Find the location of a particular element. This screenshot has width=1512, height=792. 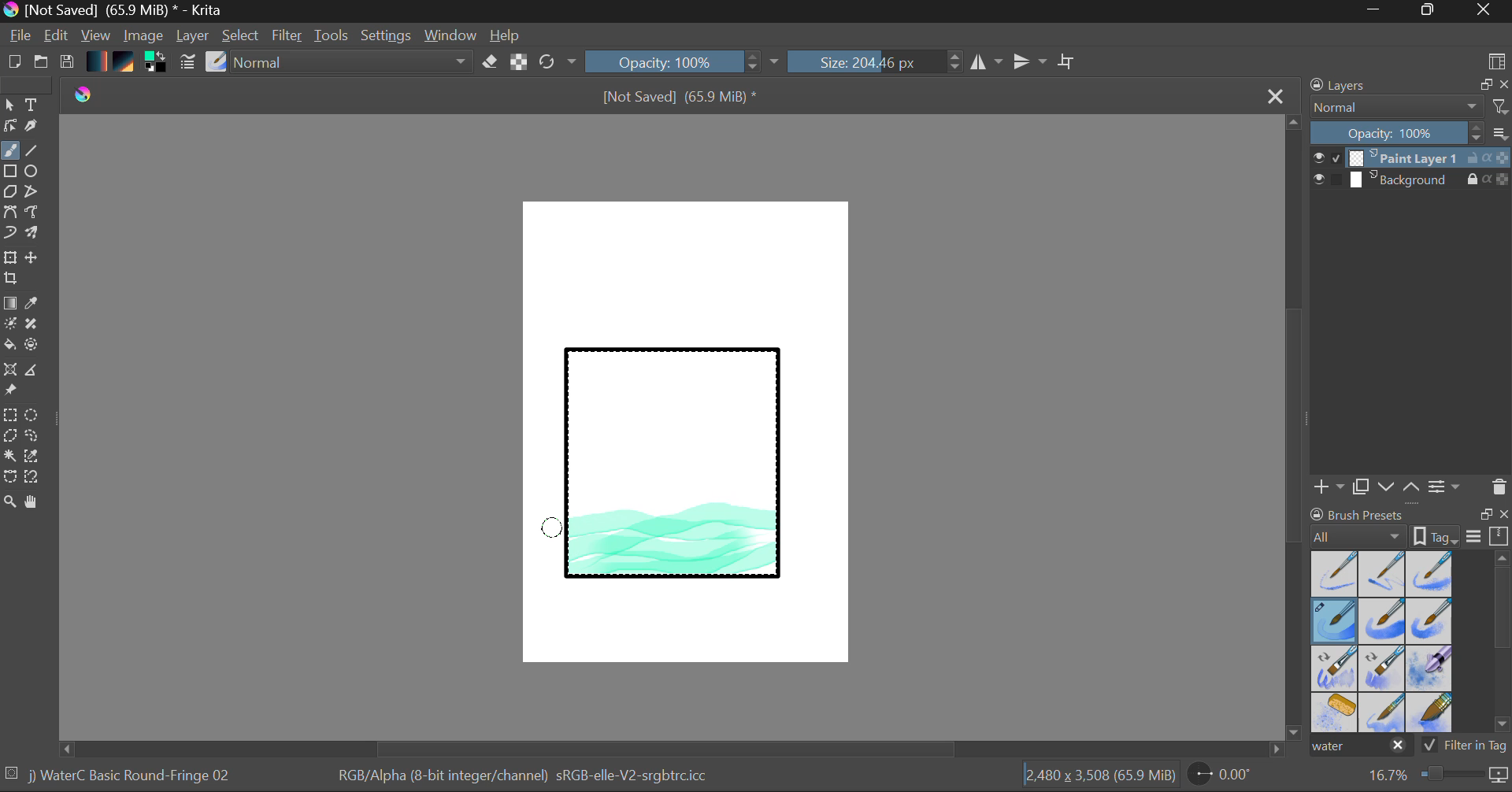

Elipses Selection tool is located at coordinates (35, 416).